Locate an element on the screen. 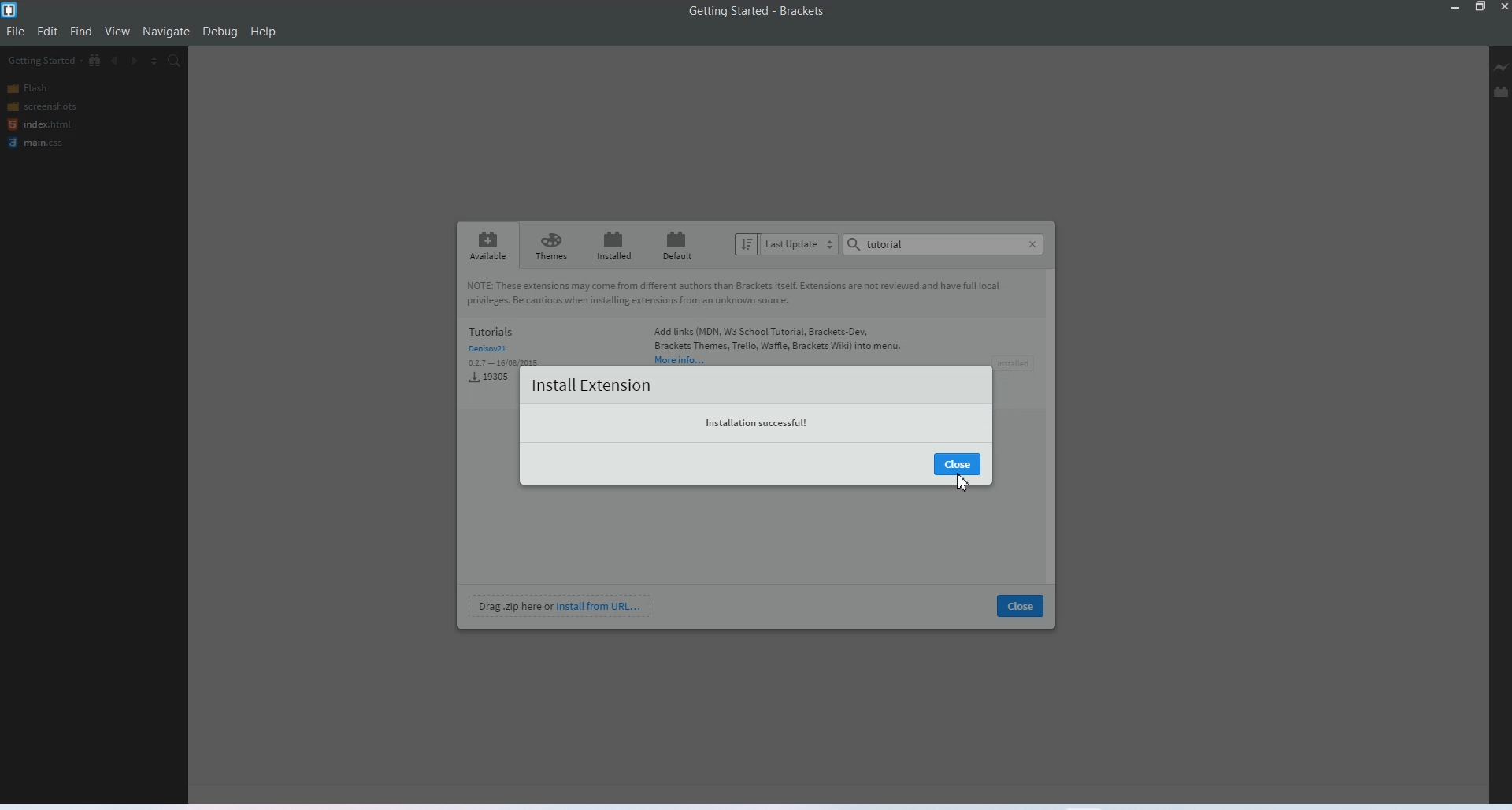  Maximize is located at coordinates (1481, 7).